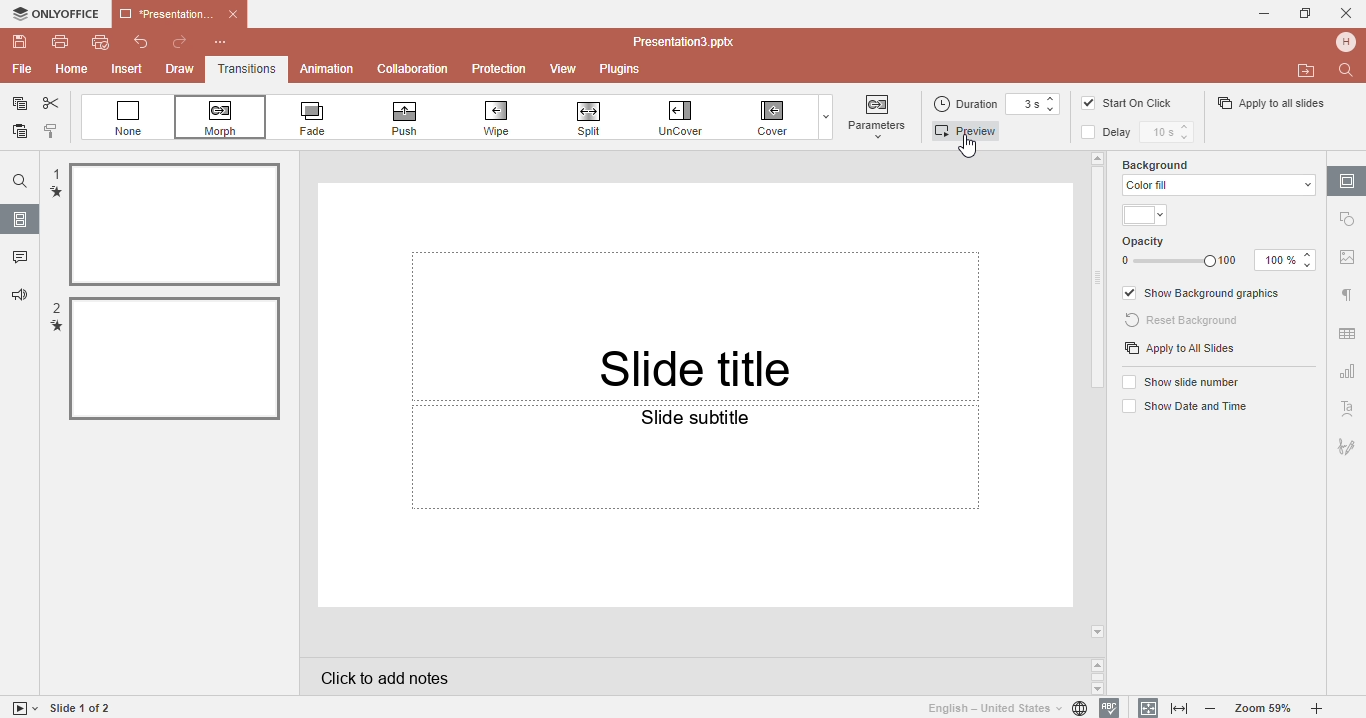  I want to click on Dropdown, so click(823, 117).